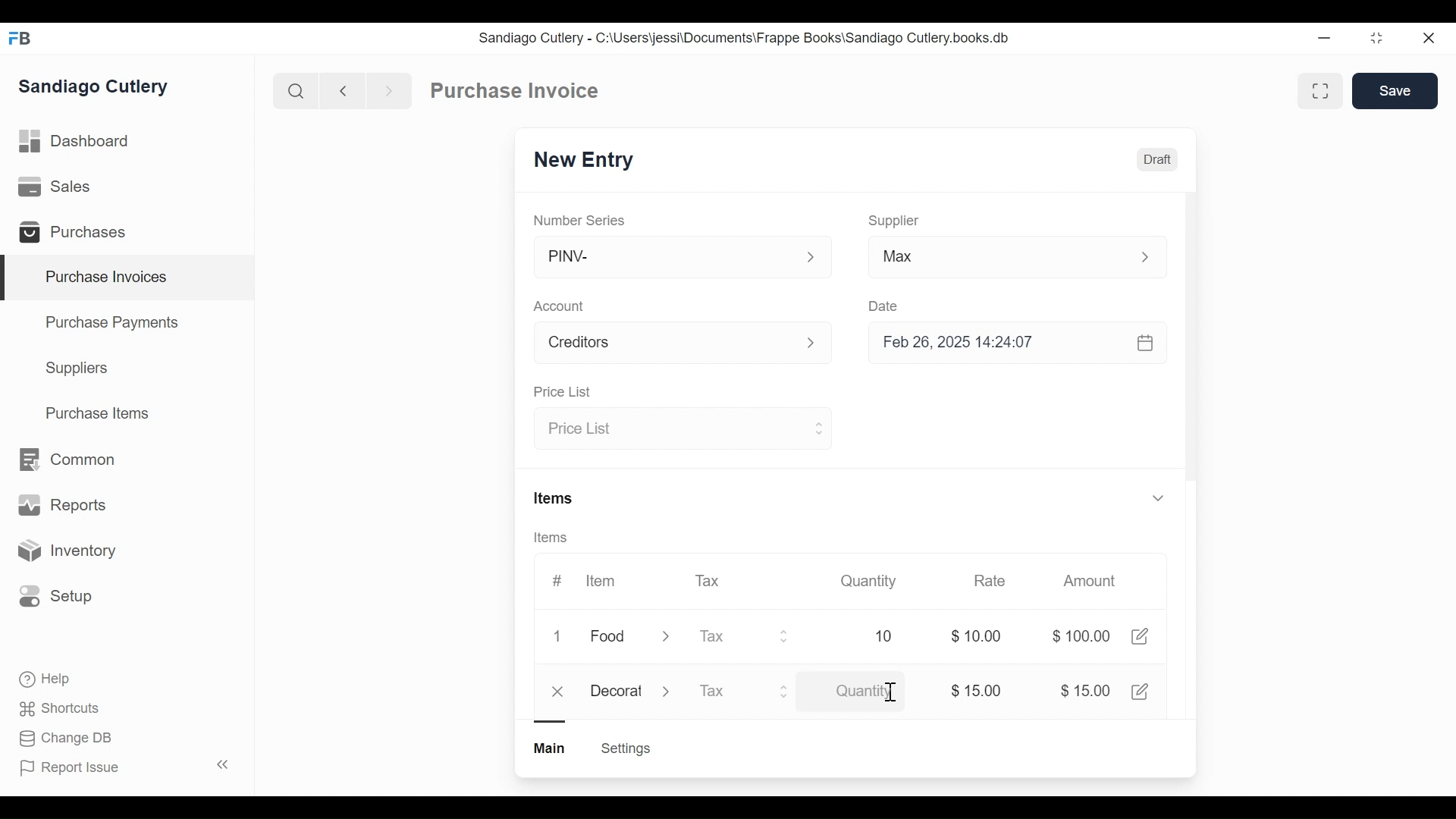  Describe the element at coordinates (560, 692) in the screenshot. I see `close` at that location.